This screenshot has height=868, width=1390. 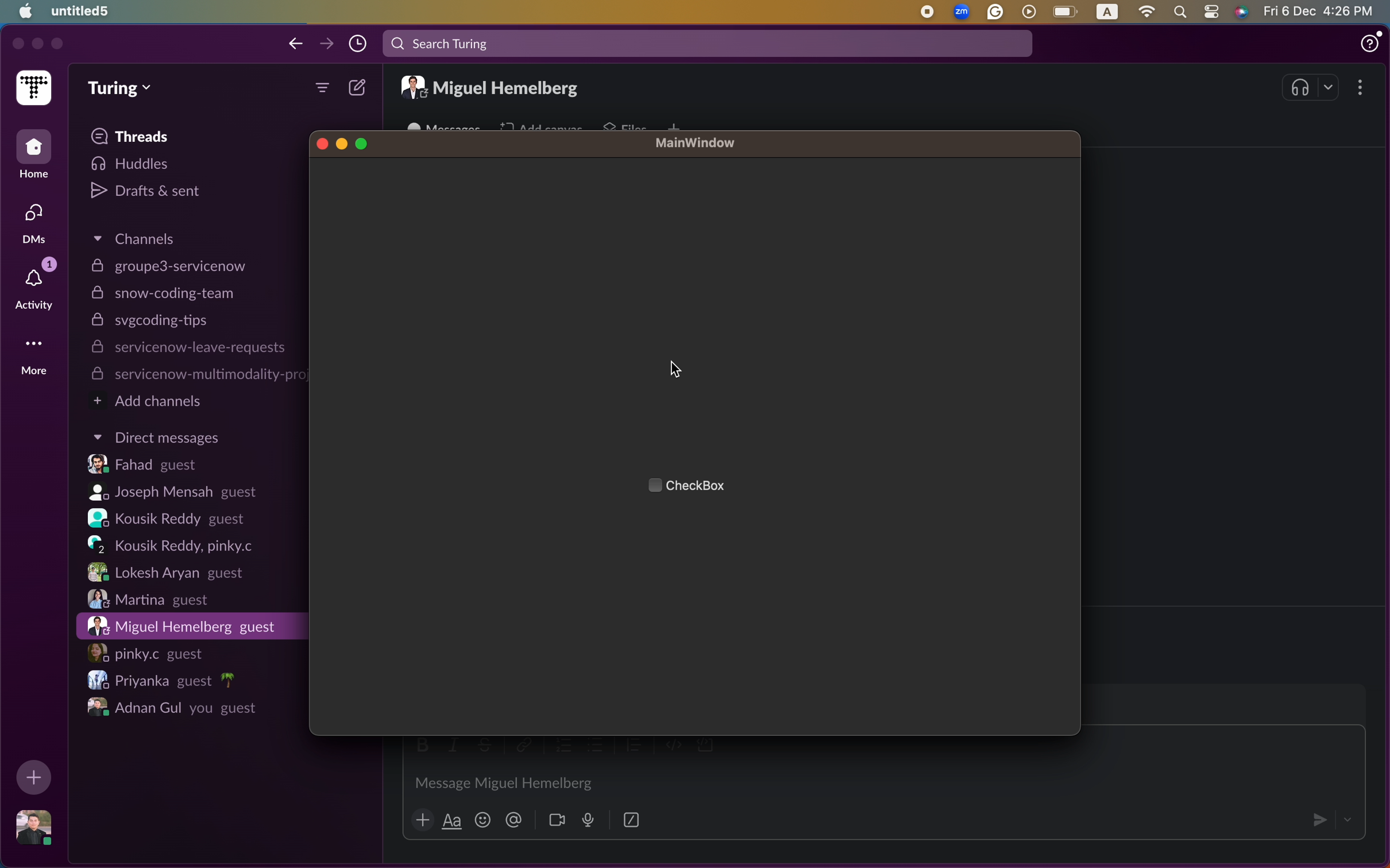 What do you see at coordinates (152, 402) in the screenshot?
I see `Add channels` at bounding box center [152, 402].